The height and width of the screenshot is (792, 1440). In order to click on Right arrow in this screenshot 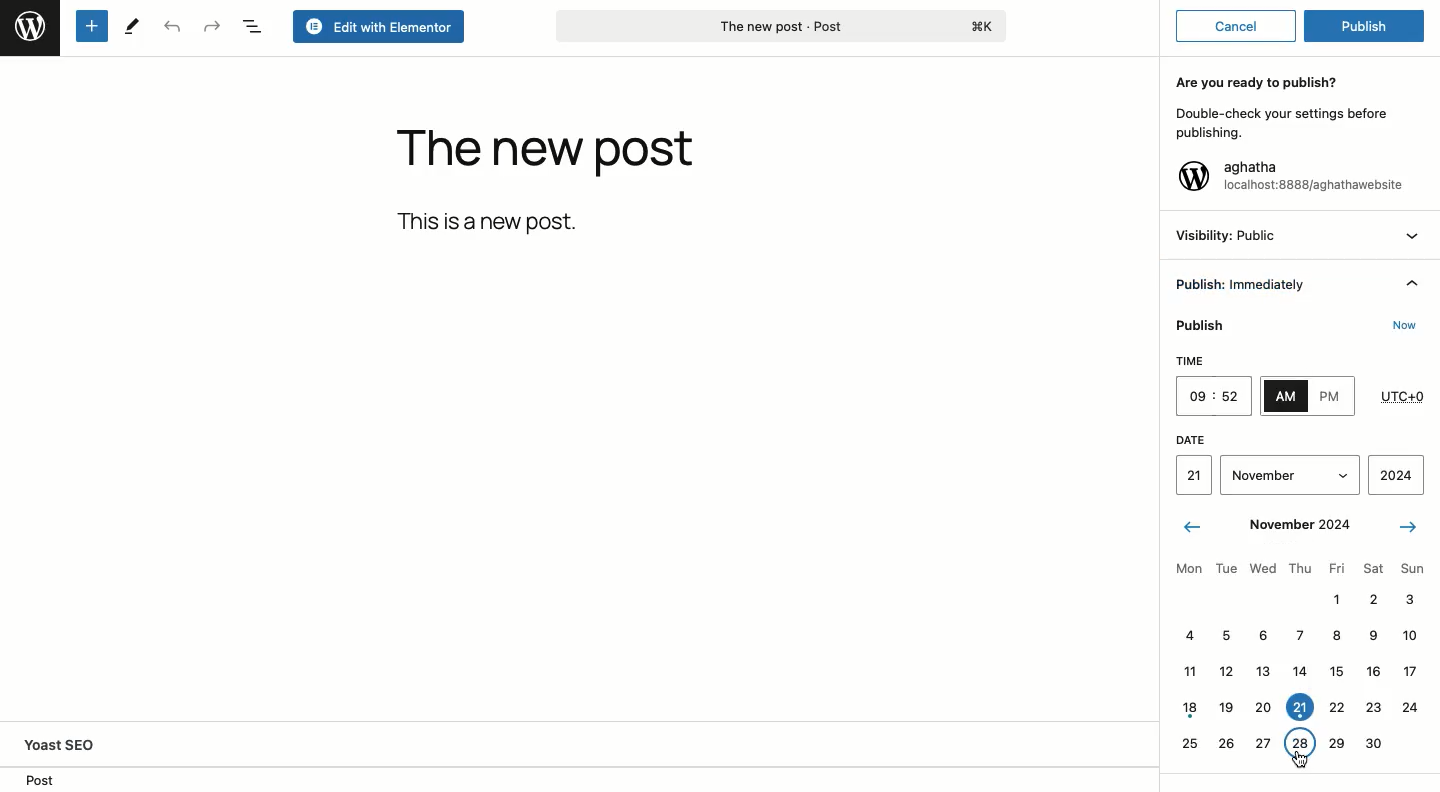, I will do `click(1408, 528)`.